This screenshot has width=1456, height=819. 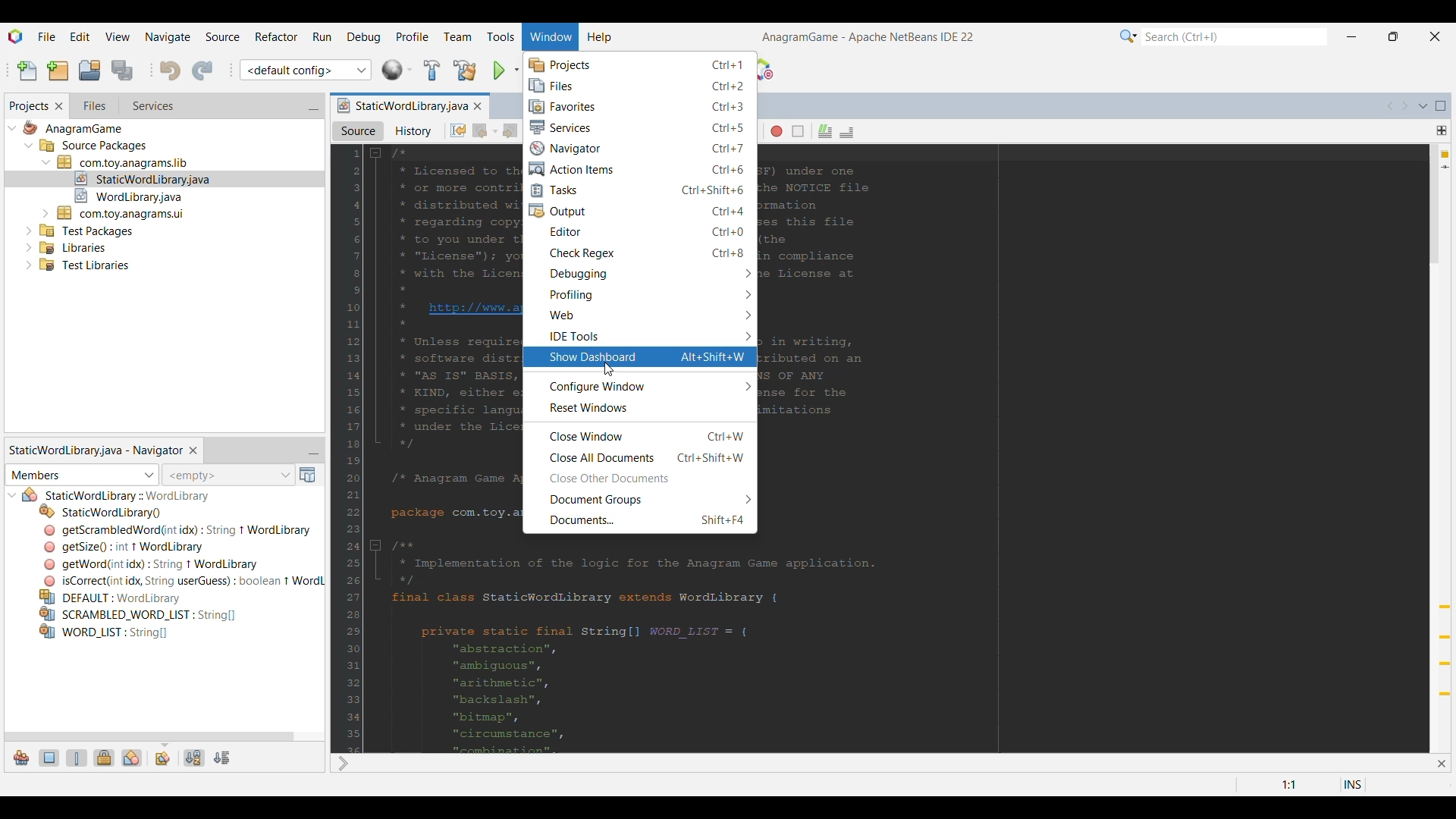 What do you see at coordinates (127, 496) in the screenshot?
I see `` at bounding box center [127, 496].